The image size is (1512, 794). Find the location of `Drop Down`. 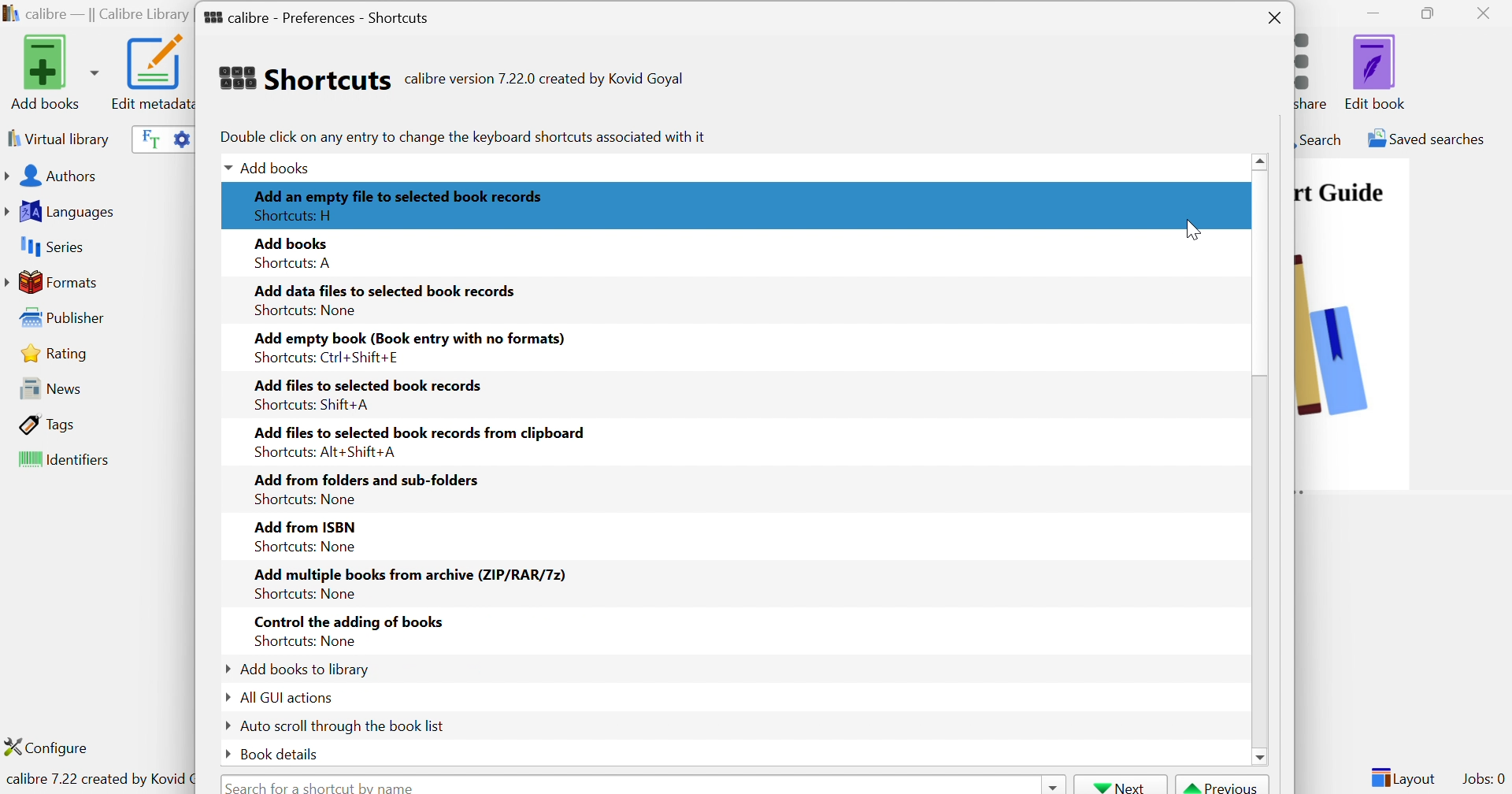

Drop Down is located at coordinates (227, 725).